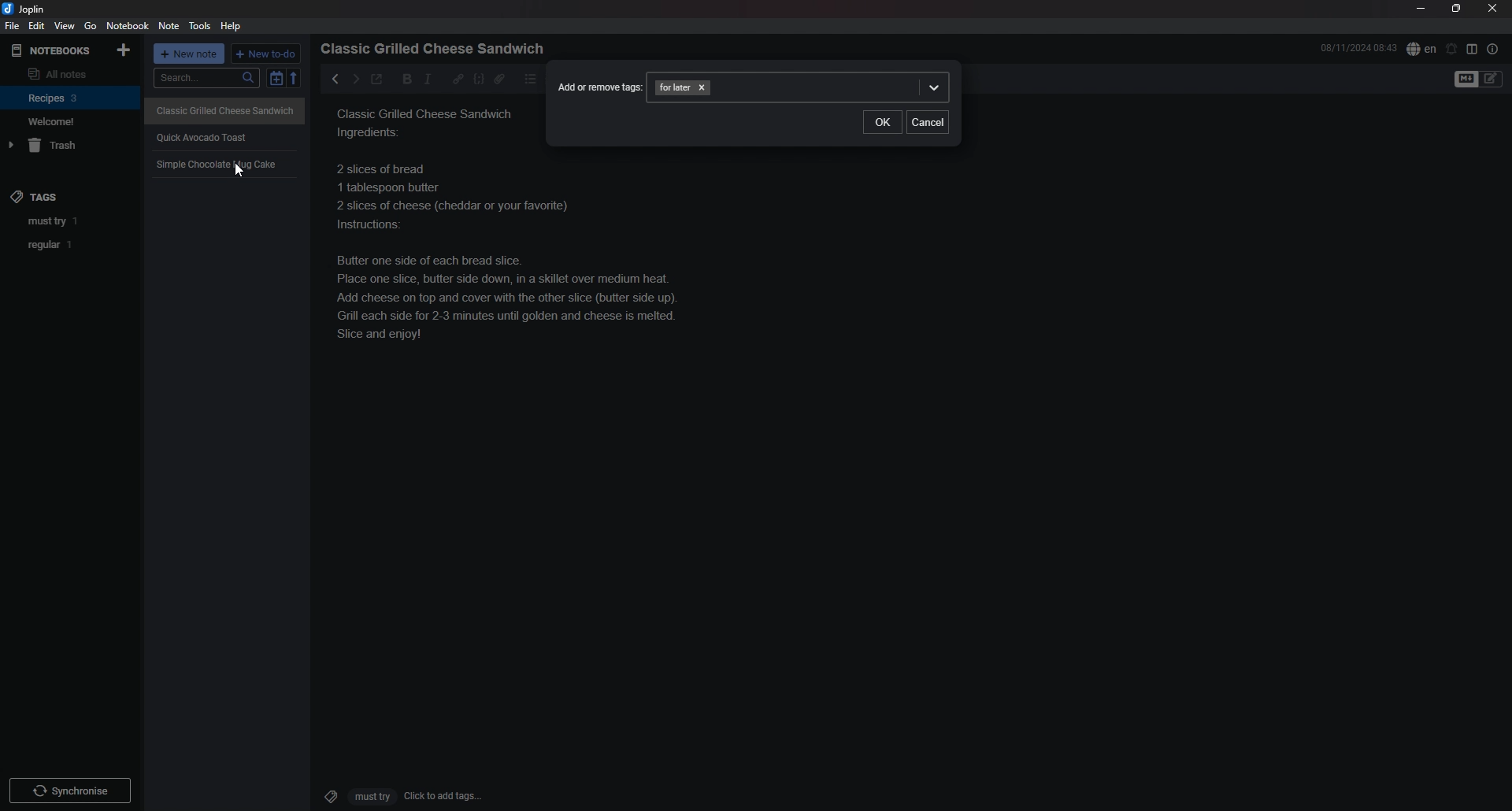  I want to click on tools, so click(202, 26).